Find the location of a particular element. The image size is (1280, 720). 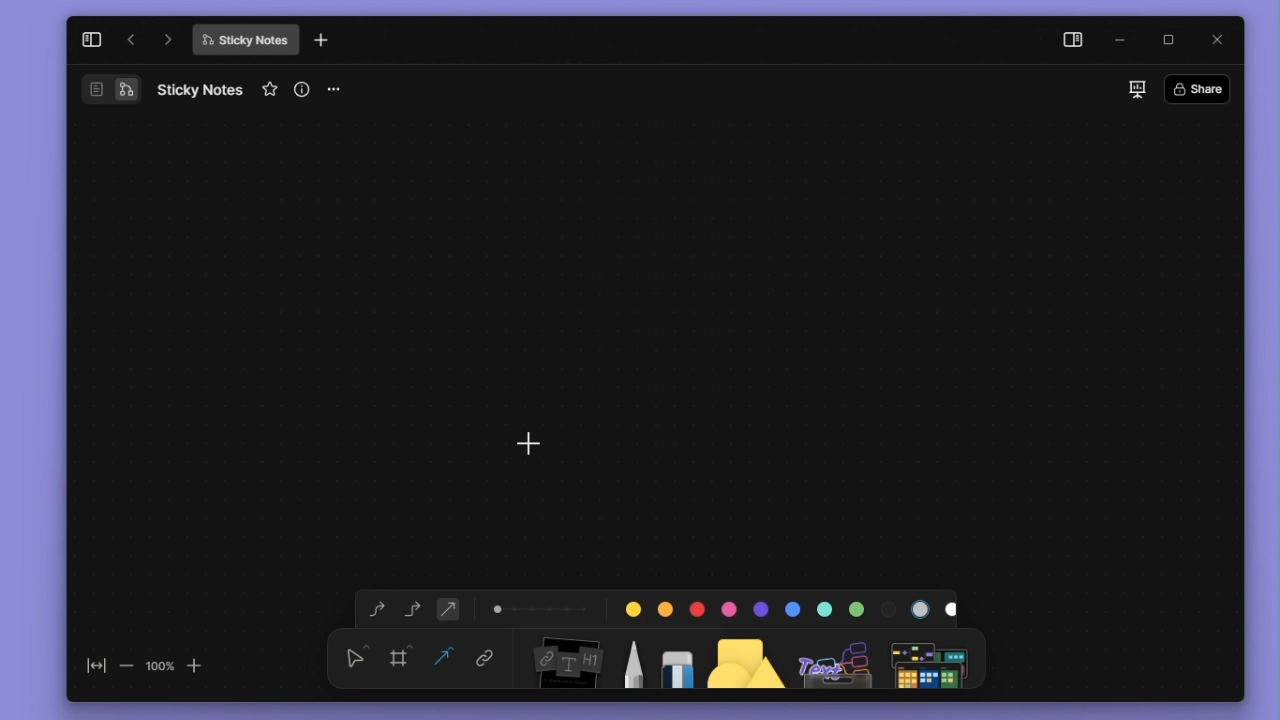

go forward is located at coordinates (168, 39).